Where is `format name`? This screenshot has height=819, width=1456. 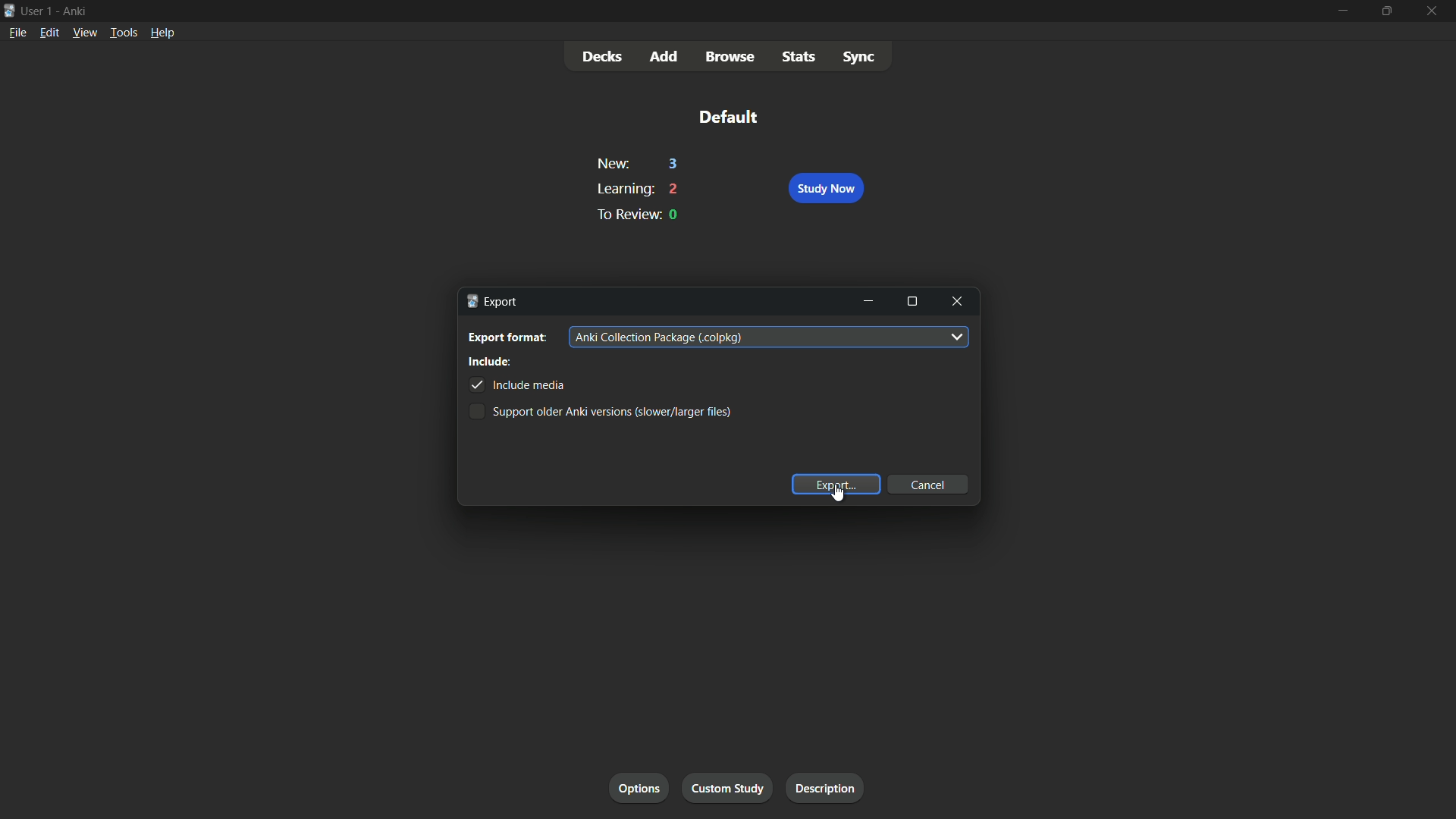 format name is located at coordinates (657, 338).